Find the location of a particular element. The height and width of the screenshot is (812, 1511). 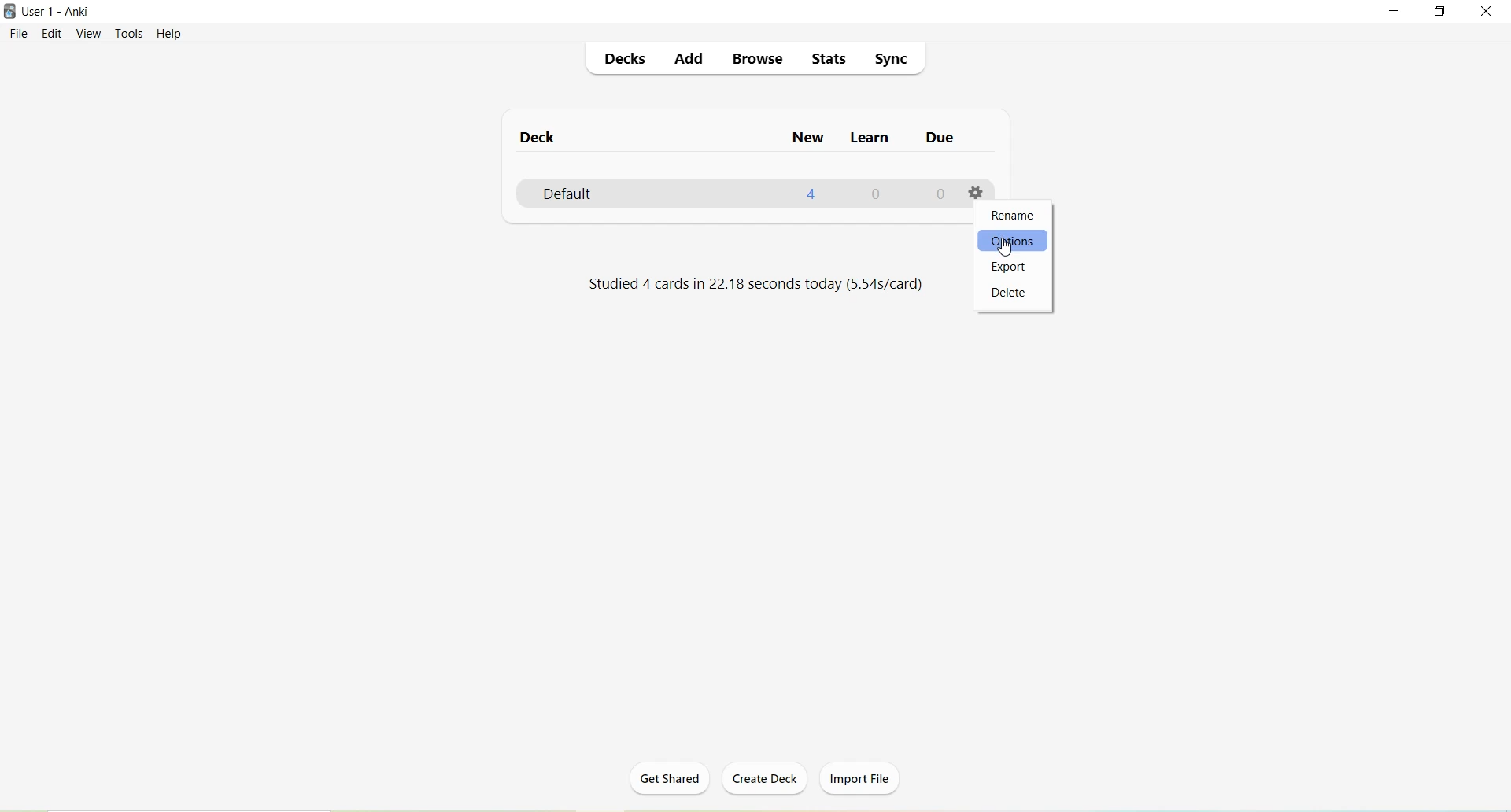

View is located at coordinates (91, 33).